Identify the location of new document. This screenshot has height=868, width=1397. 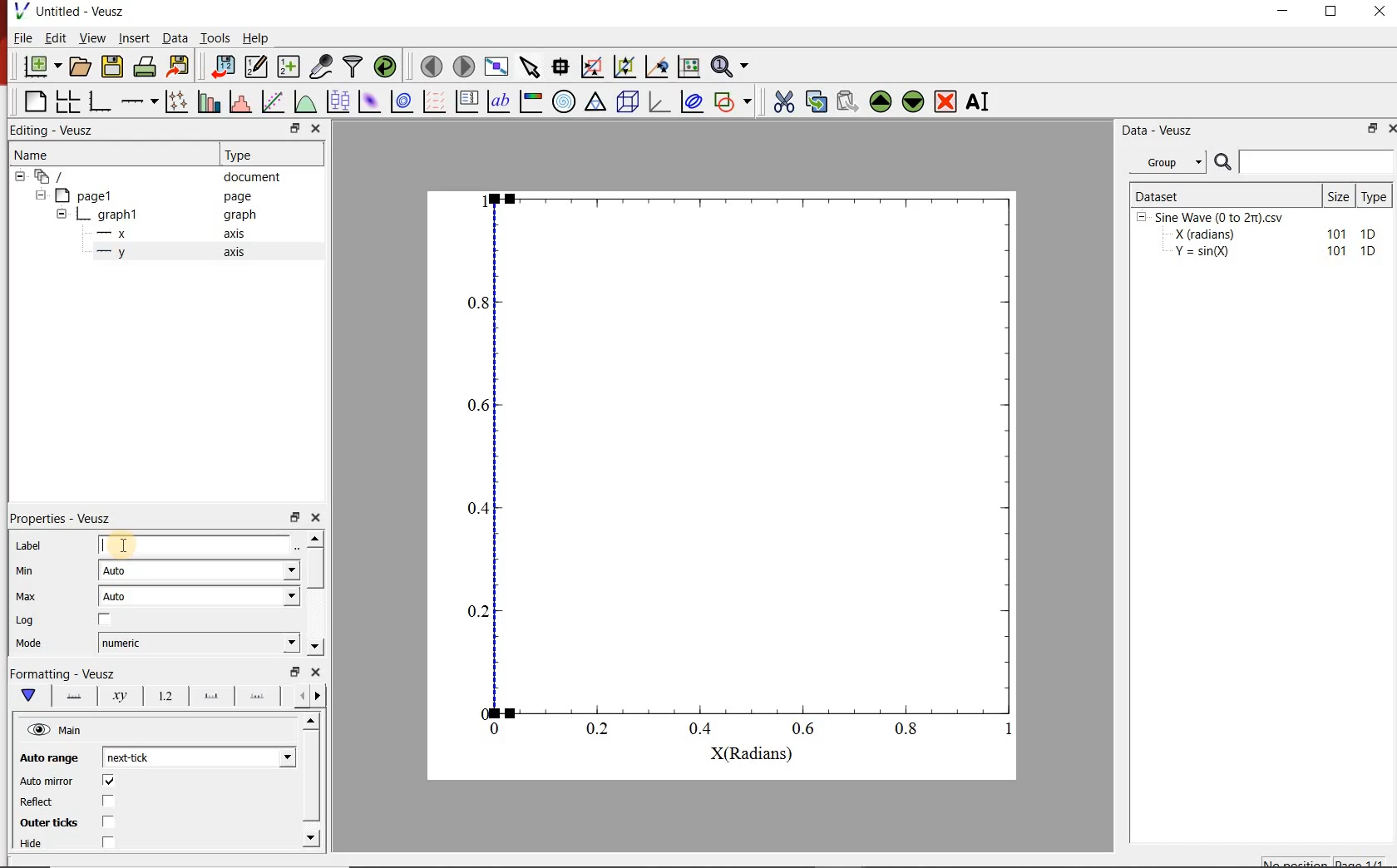
(42, 67).